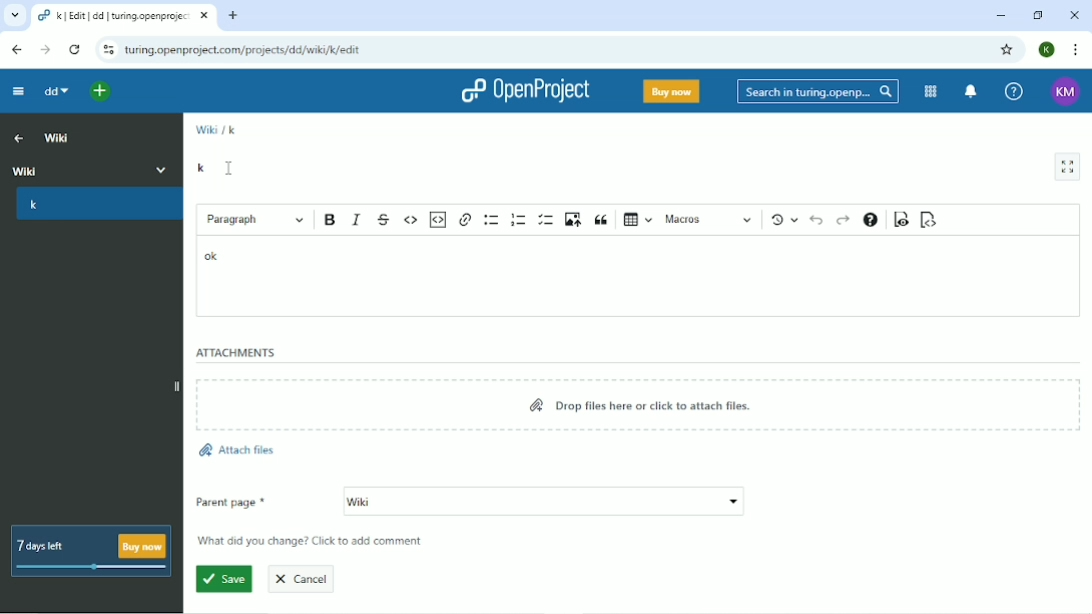 This screenshot has height=614, width=1092. What do you see at coordinates (670, 92) in the screenshot?
I see `Buy now` at bounding box center [670, 92].